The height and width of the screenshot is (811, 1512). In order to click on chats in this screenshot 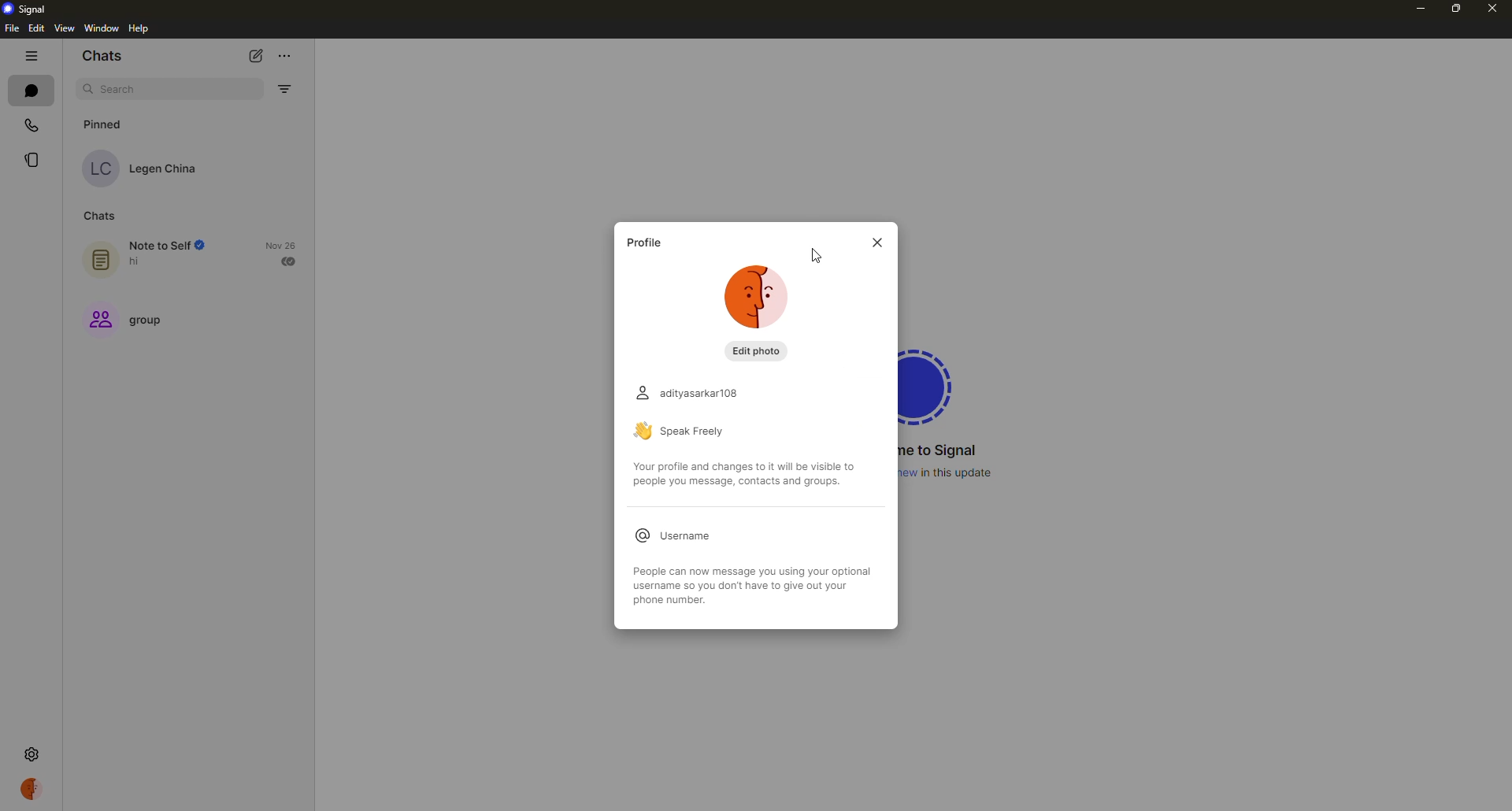, I will do `click(98, 217)`.